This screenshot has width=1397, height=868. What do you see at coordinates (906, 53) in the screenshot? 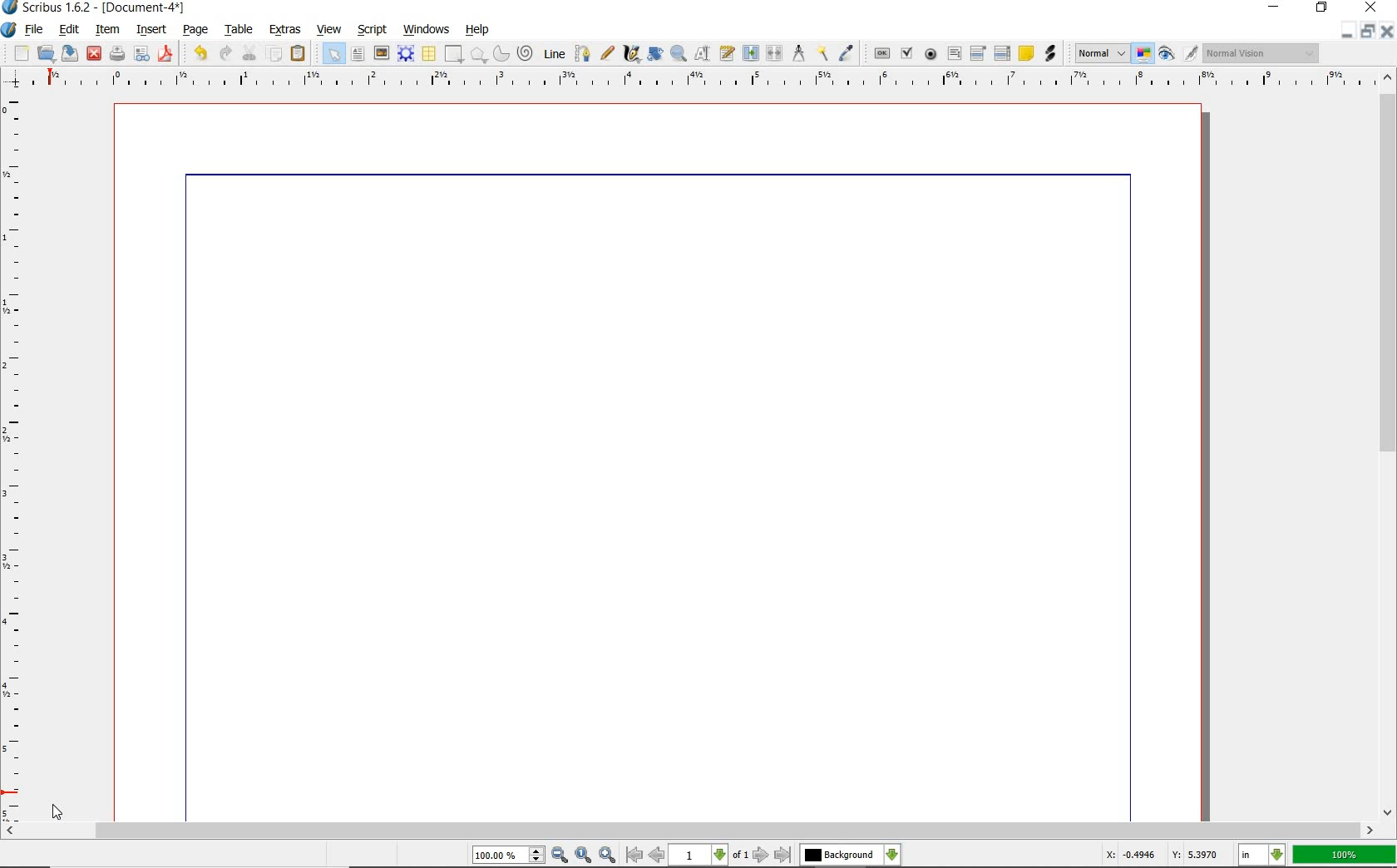
I see `pdf check box` at bounding box center [906, 53].